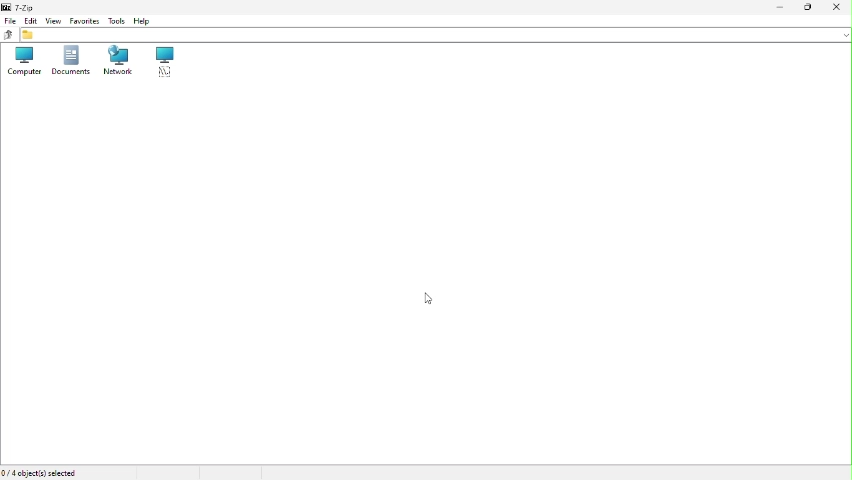 This screenshot has height=480, width=852. I want to click on Network, so click(118, 62).